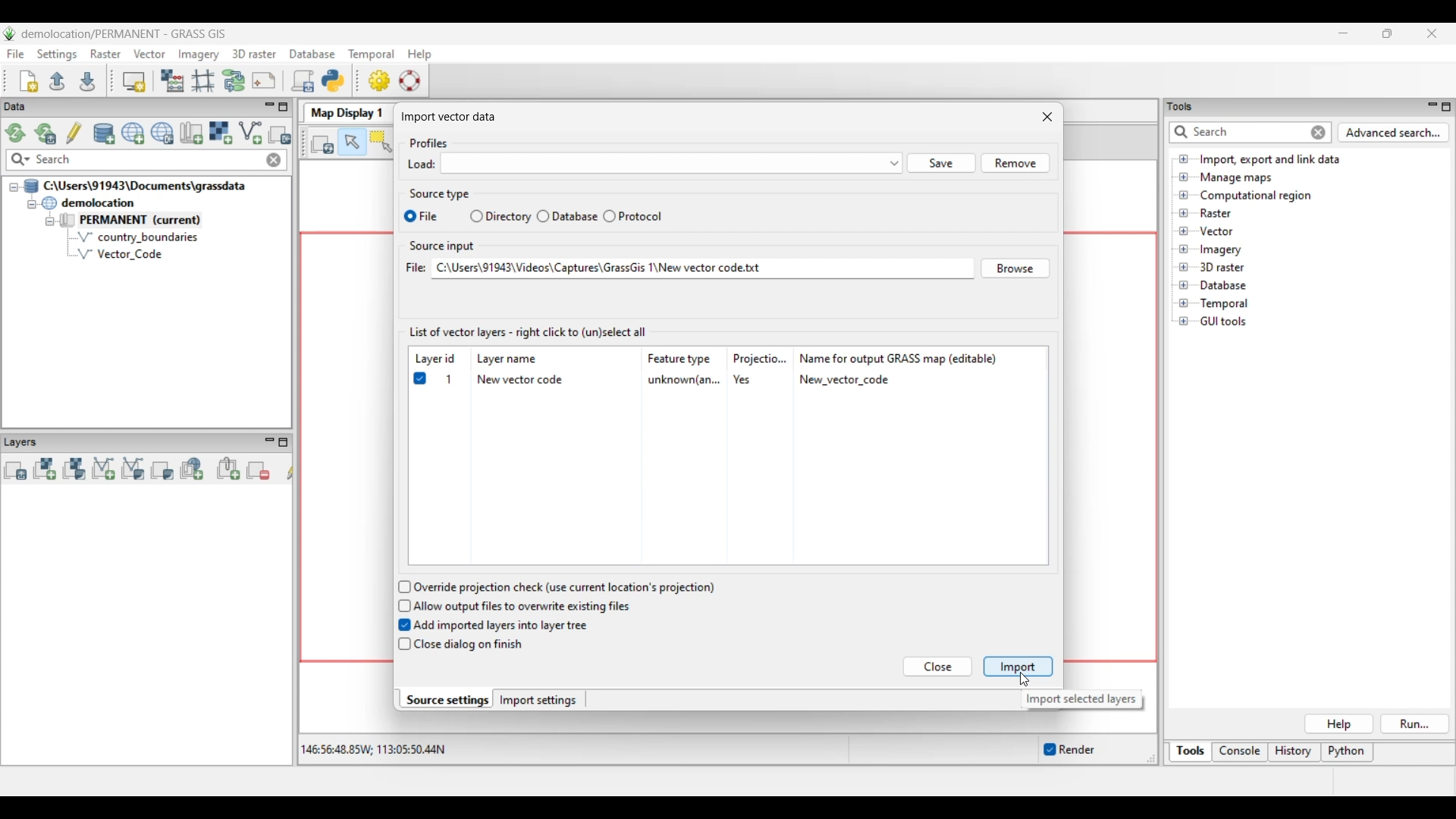 Image resolution: width=1456 pixels, height=819 pixels. Describe the element at coordinates (530, 331) in the screenshot. I see `List of vector layers - right click to (un)select all` at that location.